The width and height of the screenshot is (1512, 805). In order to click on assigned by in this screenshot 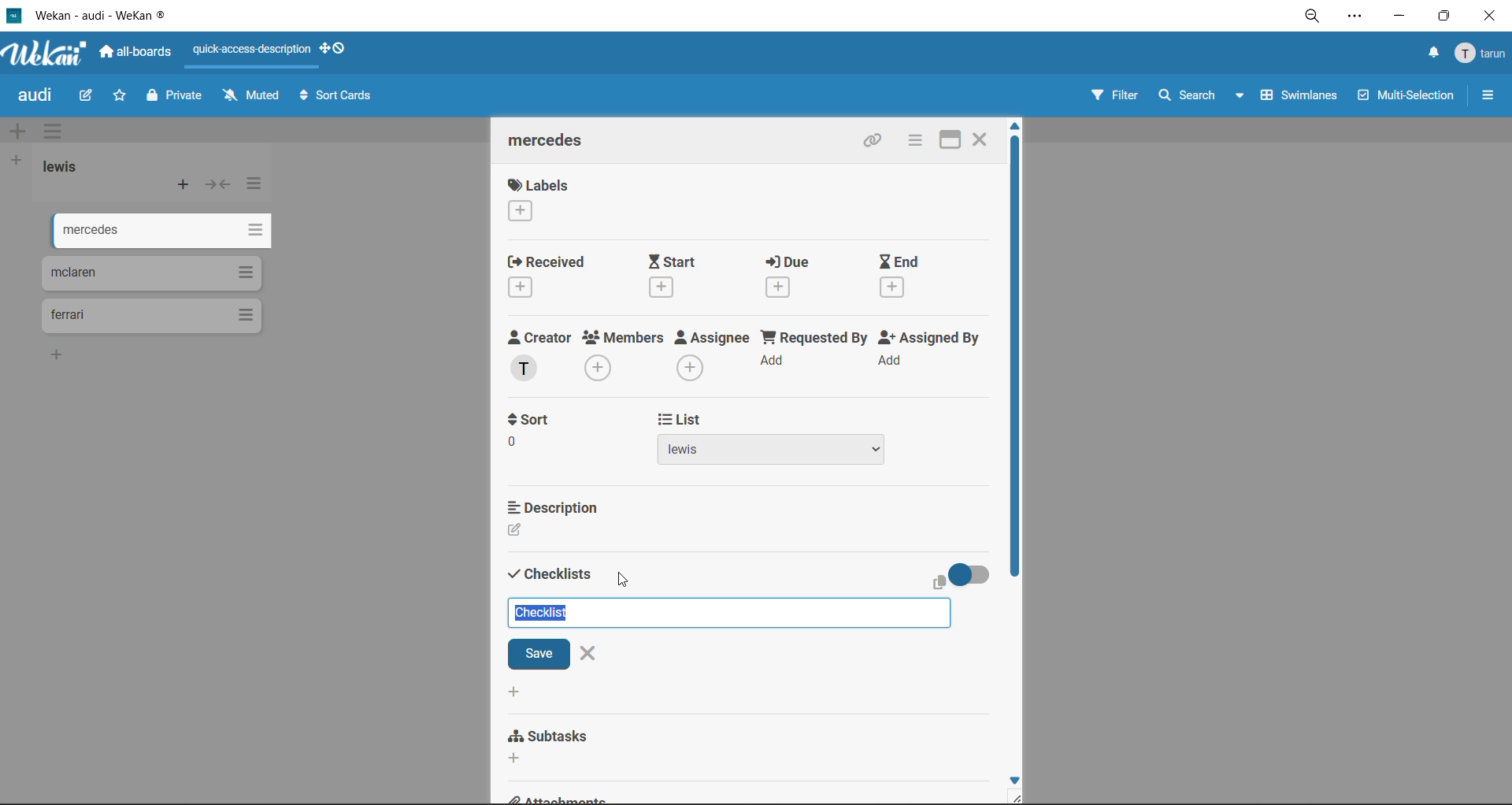, I will do `click(933, 354)`.